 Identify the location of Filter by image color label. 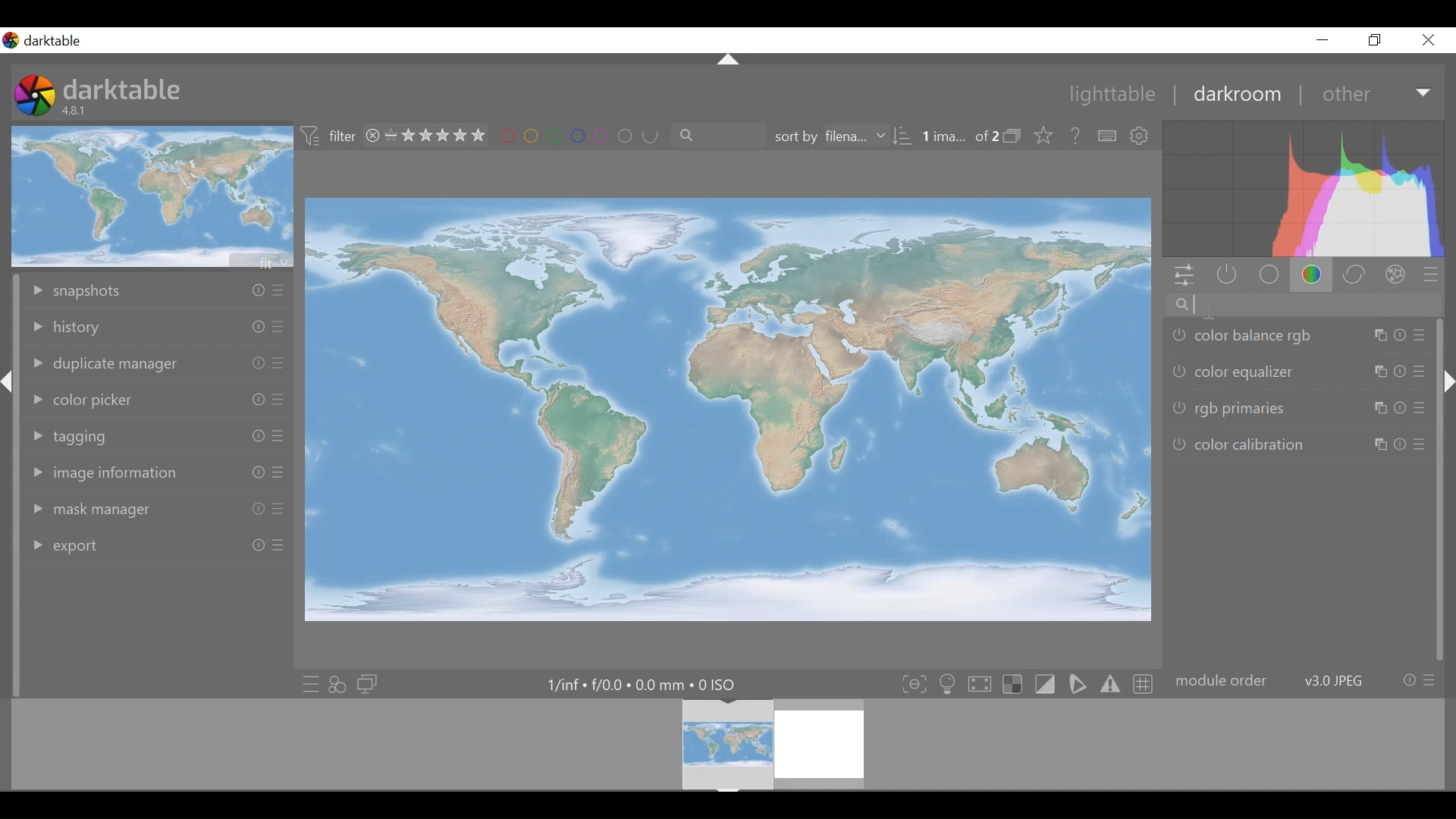
(573, 136).